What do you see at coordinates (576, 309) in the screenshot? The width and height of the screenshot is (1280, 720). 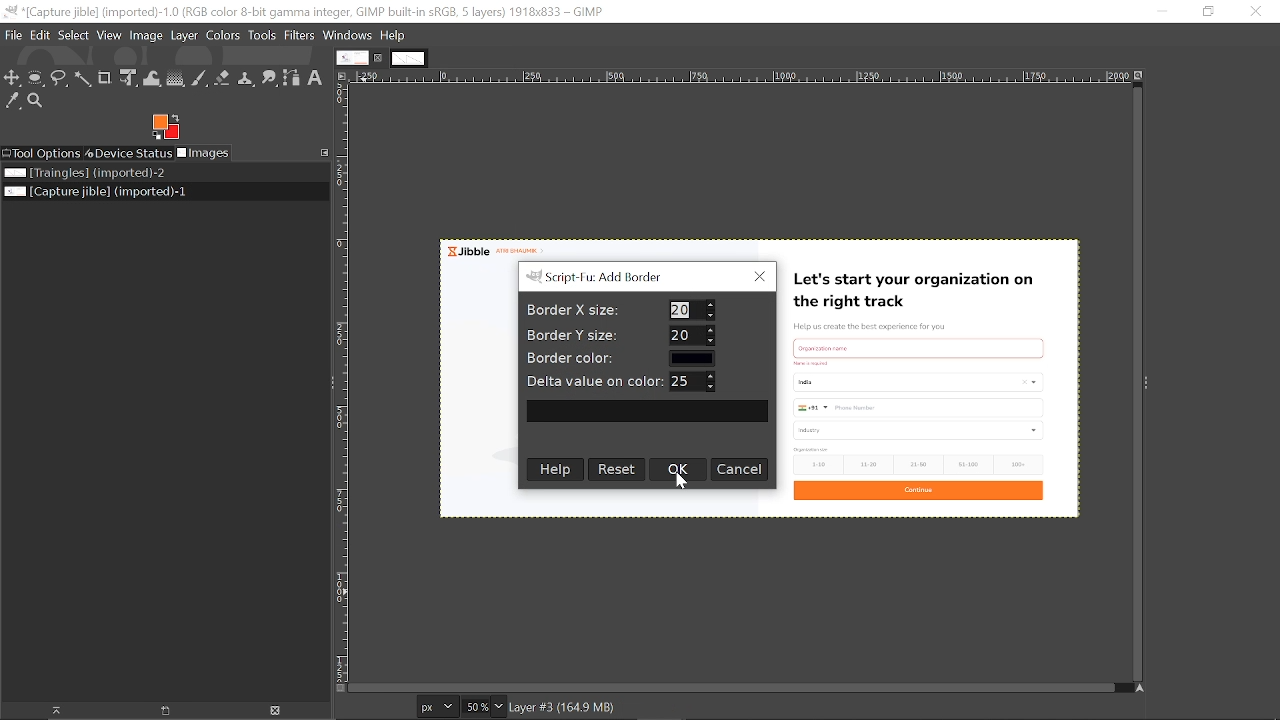 I see `Border X size:` at bounding box center [576, 309].